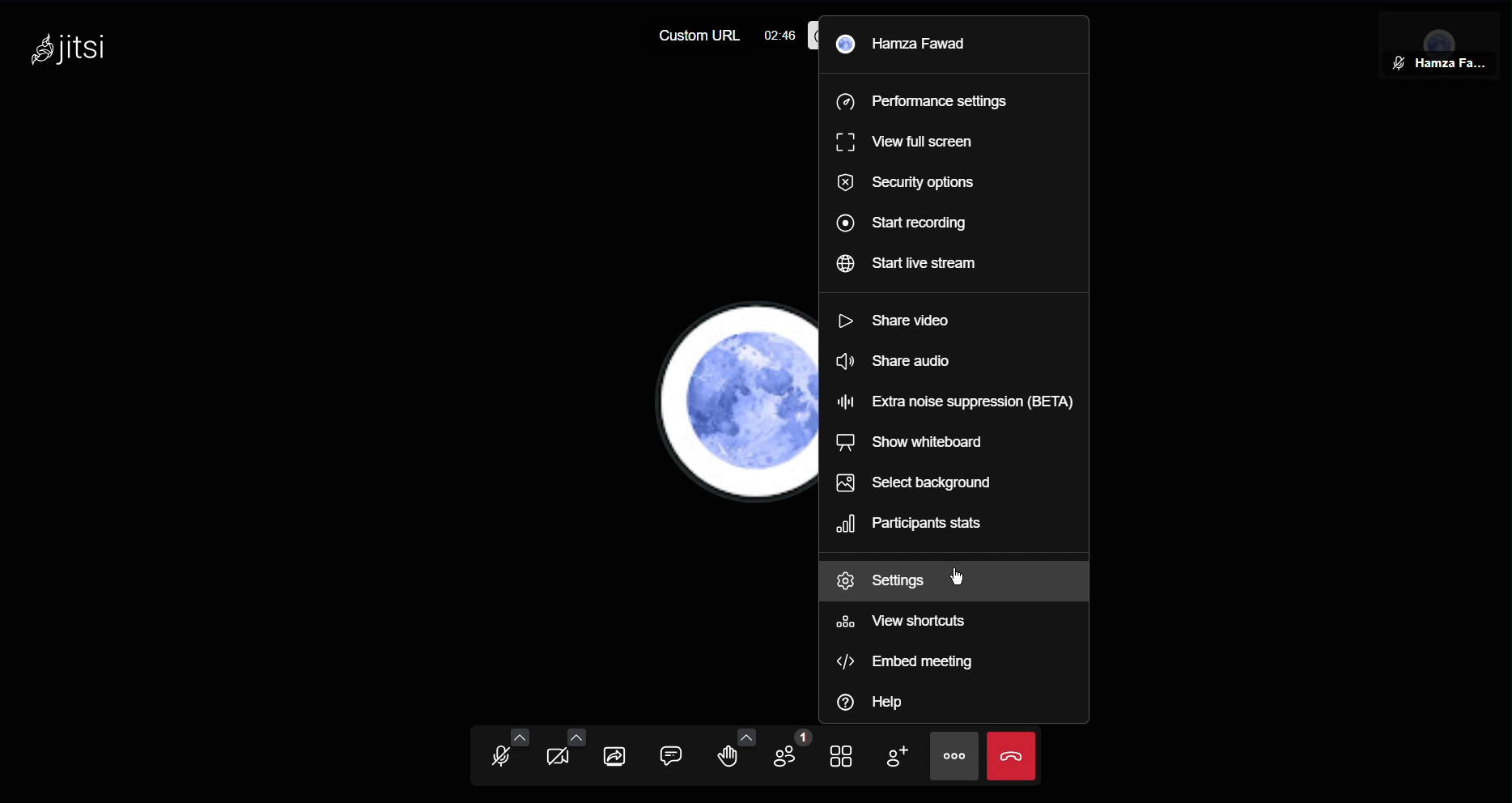 The height and width of the screenshot is (803, 1512). I want to click on Cursor, so click(955, 576).